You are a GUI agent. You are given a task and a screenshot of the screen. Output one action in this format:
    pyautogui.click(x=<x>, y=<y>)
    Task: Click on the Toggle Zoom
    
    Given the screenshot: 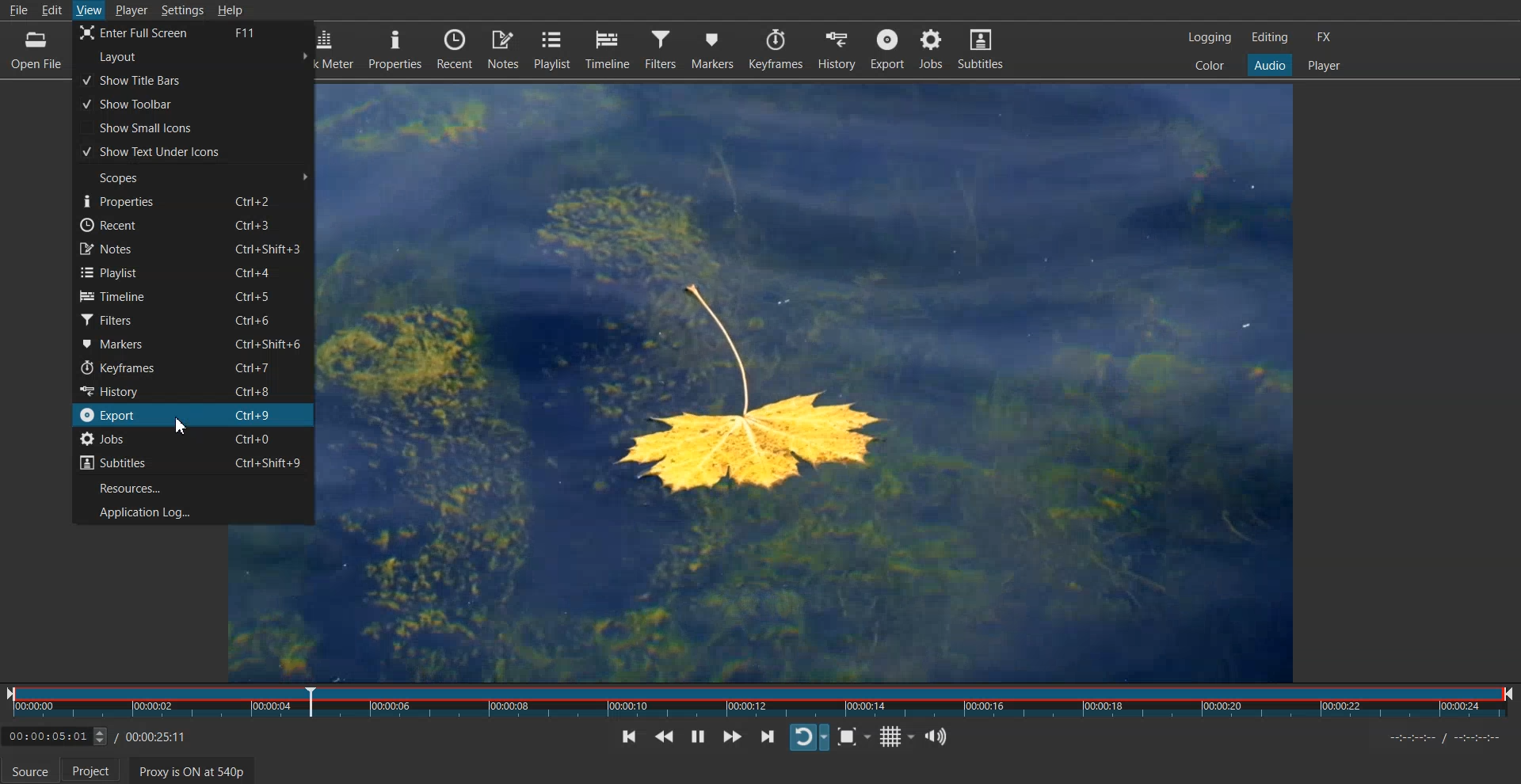 What is the action you would take?
    pyautogui.click(x=855, y=737)
    